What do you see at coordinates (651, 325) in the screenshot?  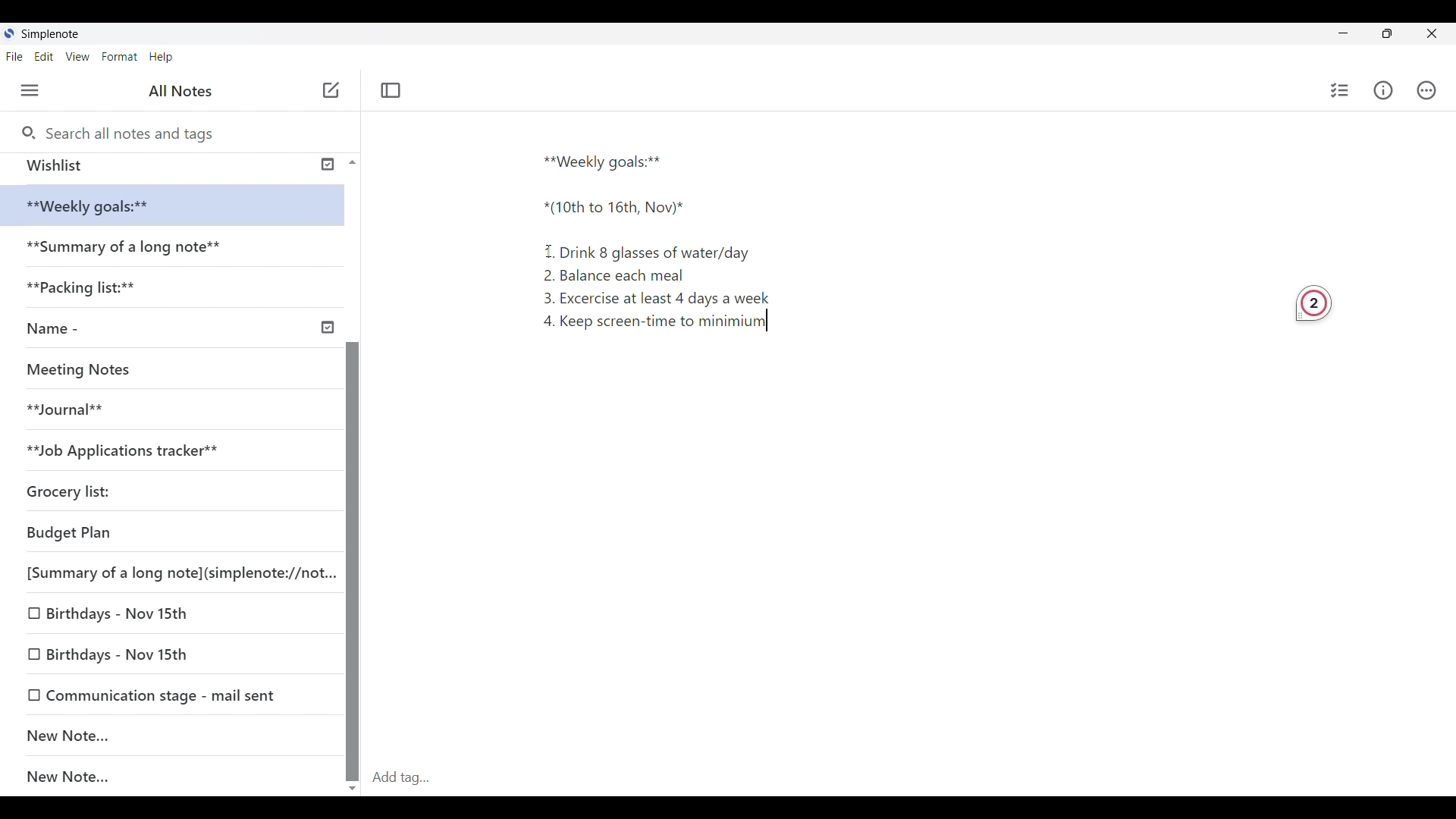 I see `4. Keep screen-time to minimium` at bounding box center [651, 325].